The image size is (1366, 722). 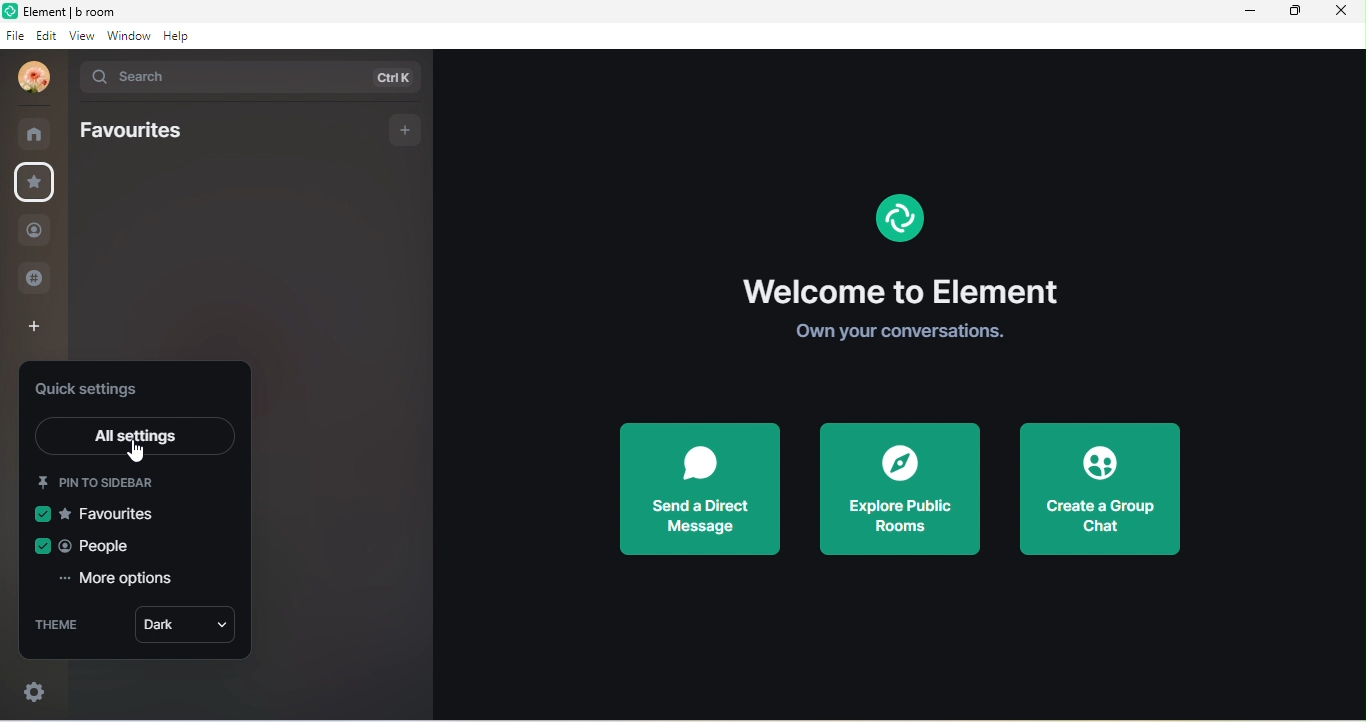 What do you see at coordinates (40, 134) in the screenshot?
I see `home` at bounding box center [40, 134].